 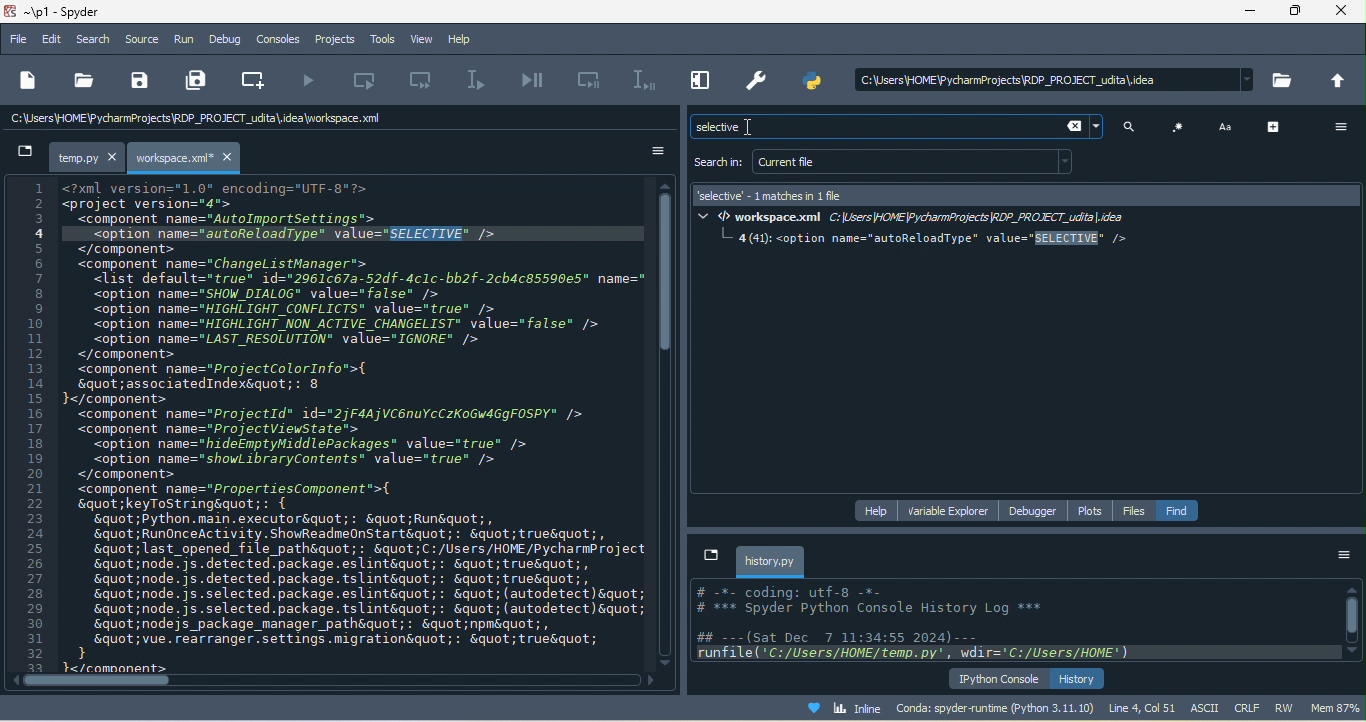 I want to click on consoles, so click(x=280, y=39).